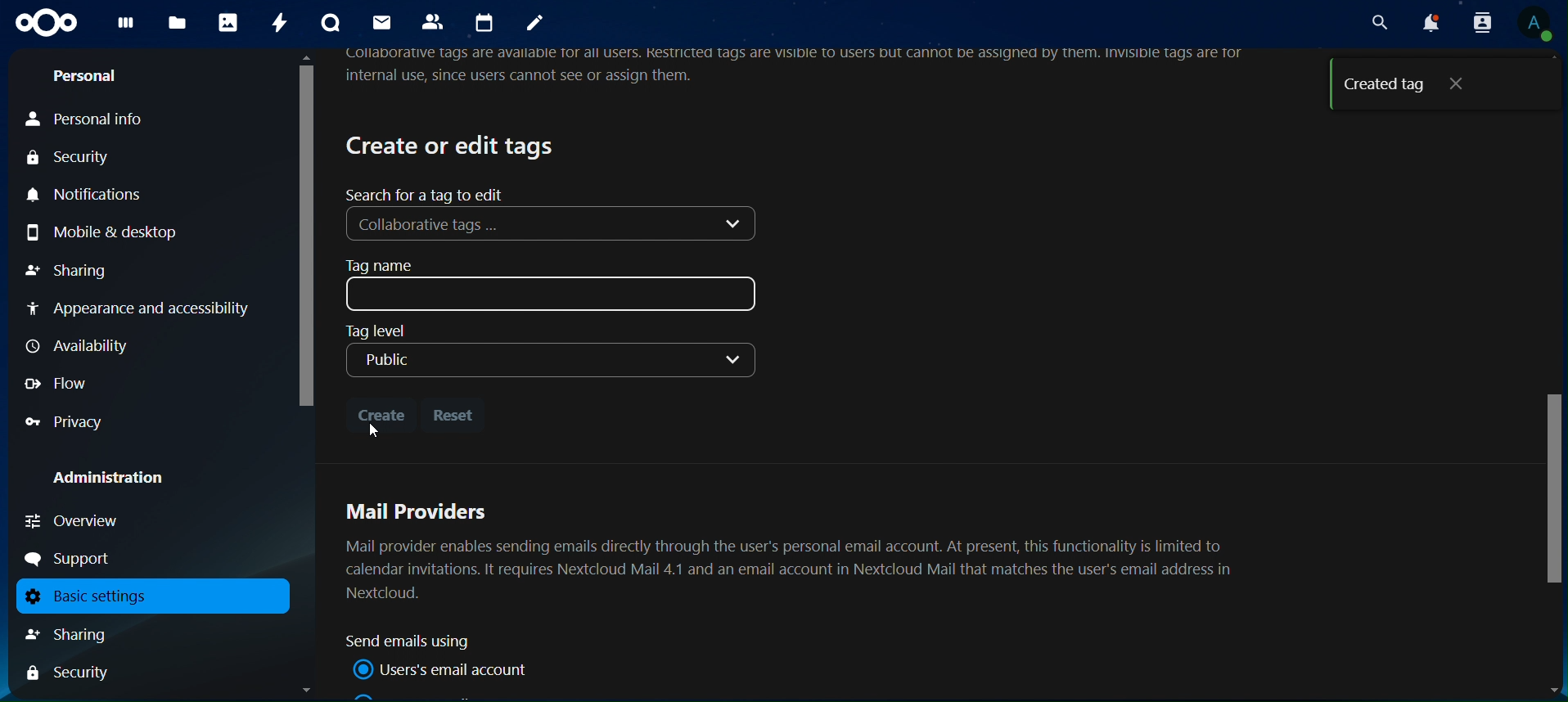 The width and height of the screenshot is (1568, 702). What do you see at coordinates (535, 25) in the screenshot?
I see `notes` at bounding box center [535, 25].